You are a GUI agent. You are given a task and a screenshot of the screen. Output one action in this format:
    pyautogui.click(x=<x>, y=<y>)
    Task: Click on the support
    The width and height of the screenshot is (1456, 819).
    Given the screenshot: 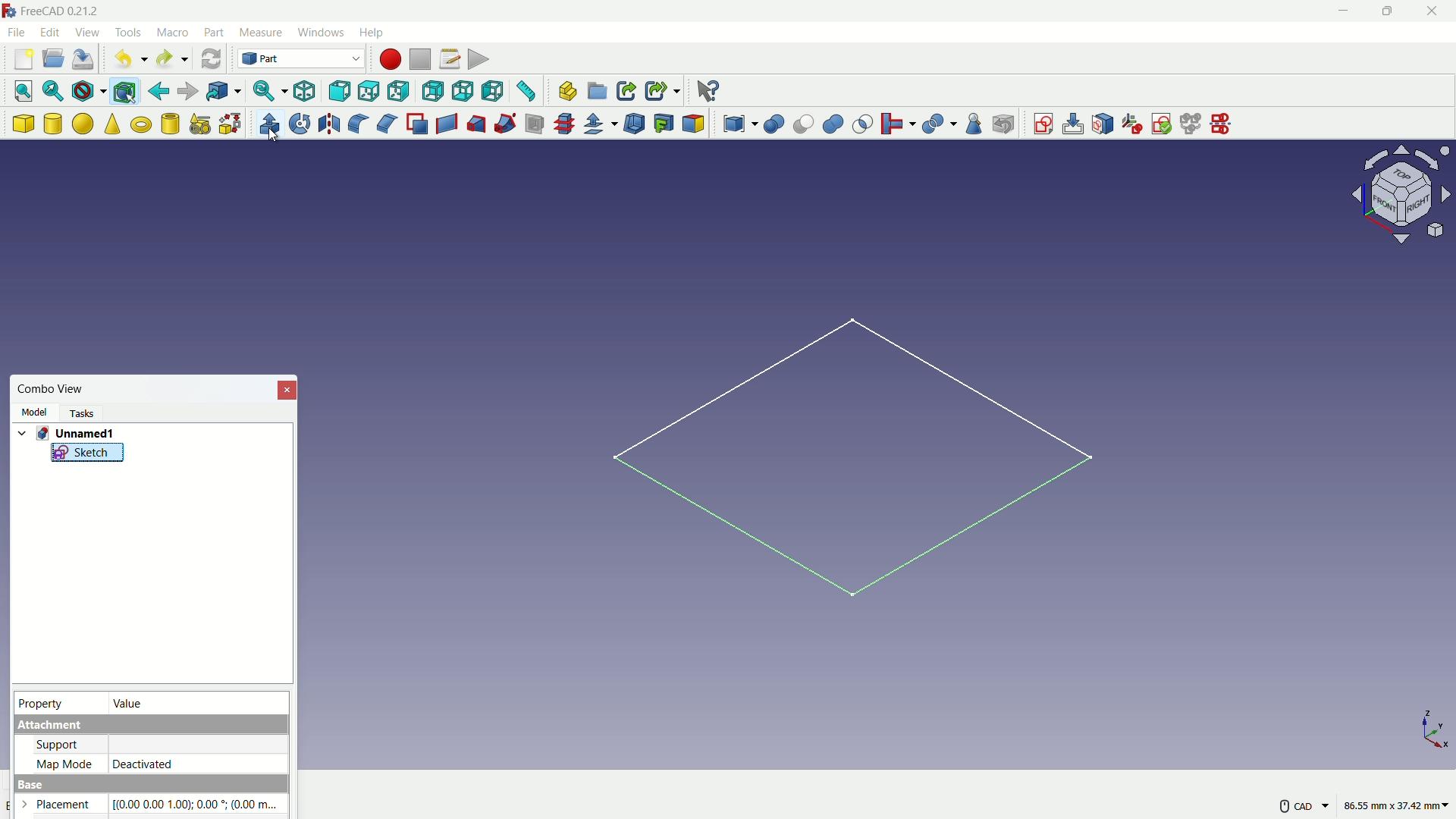 What is the action you would take?
    pyautogui.click(x=57, y=744)
    